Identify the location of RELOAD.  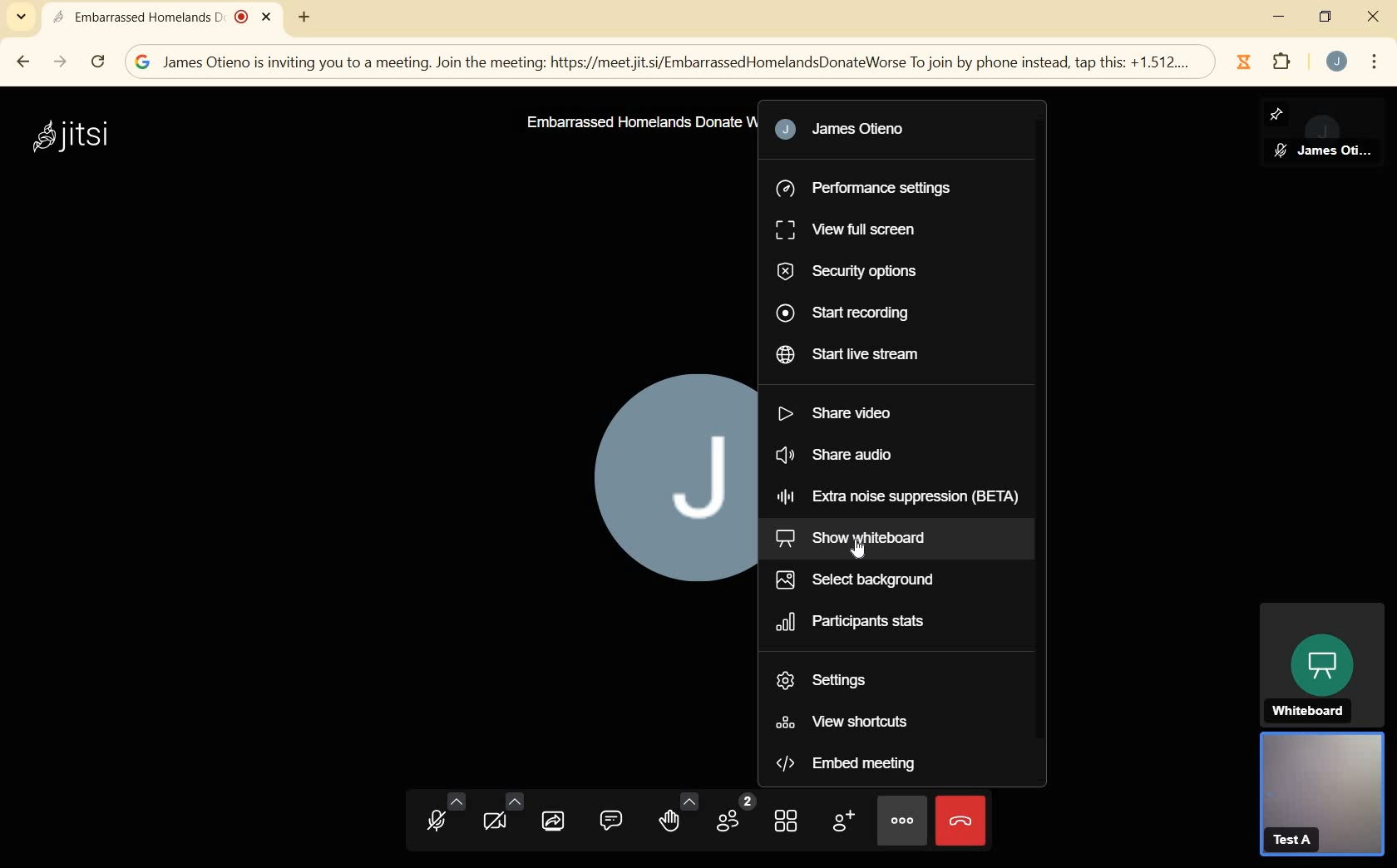
(97, 62).